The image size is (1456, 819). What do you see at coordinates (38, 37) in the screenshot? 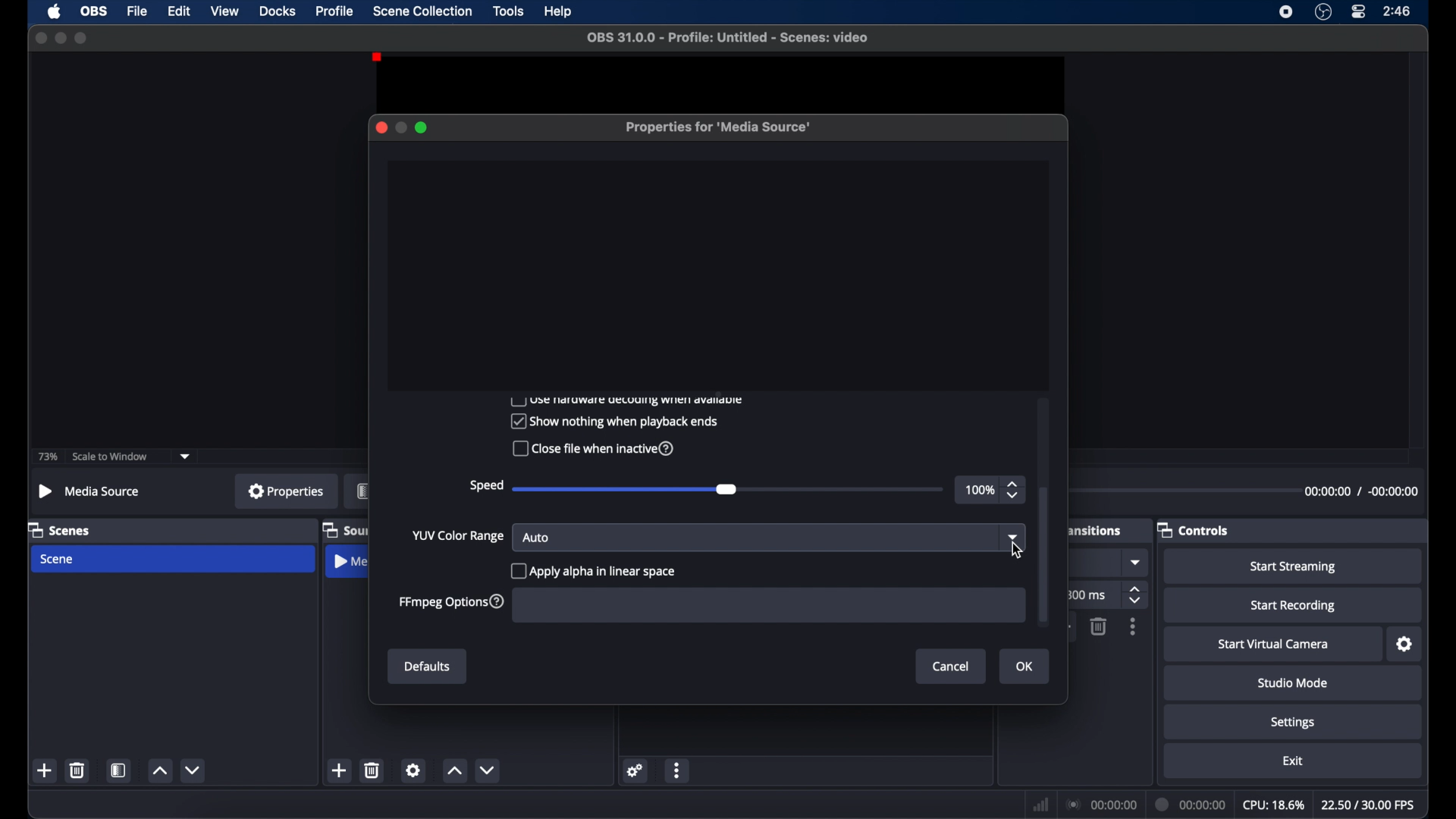
I see `close` at bounding box center [38, 37].